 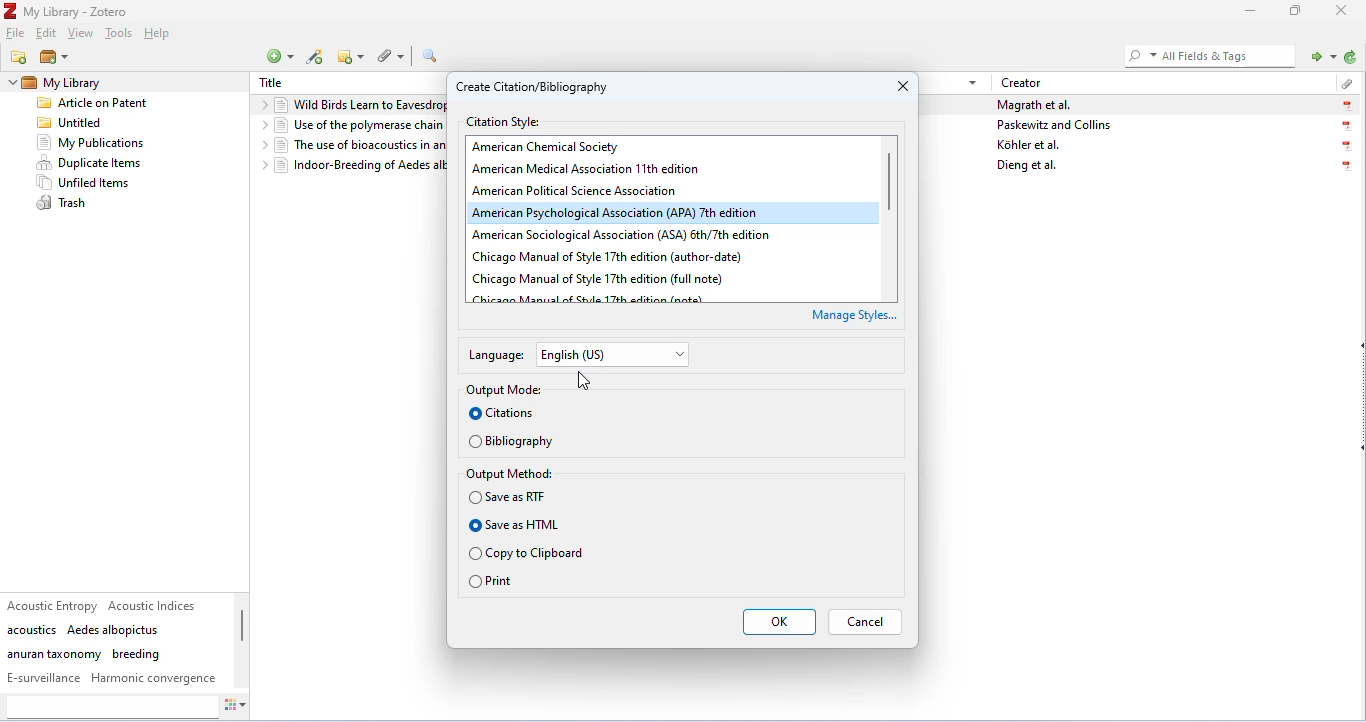 What do you see at coordinates (350, 56) in the screenshot?
I see `new note` at bounding box center [350, 56].